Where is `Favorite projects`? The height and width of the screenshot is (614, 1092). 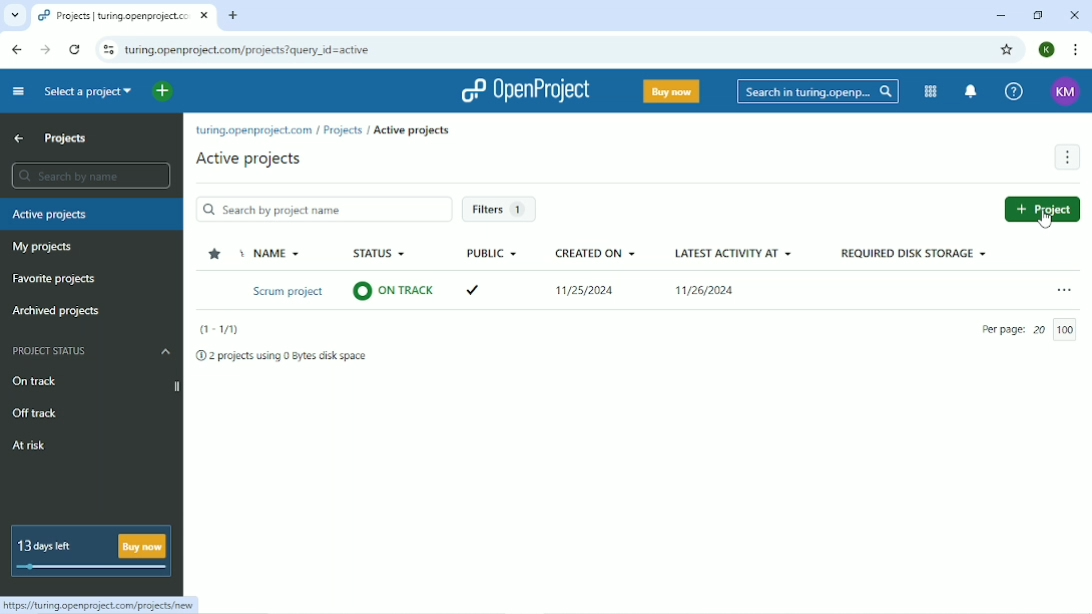 Favorite projects is located at coordinates (54, 279).